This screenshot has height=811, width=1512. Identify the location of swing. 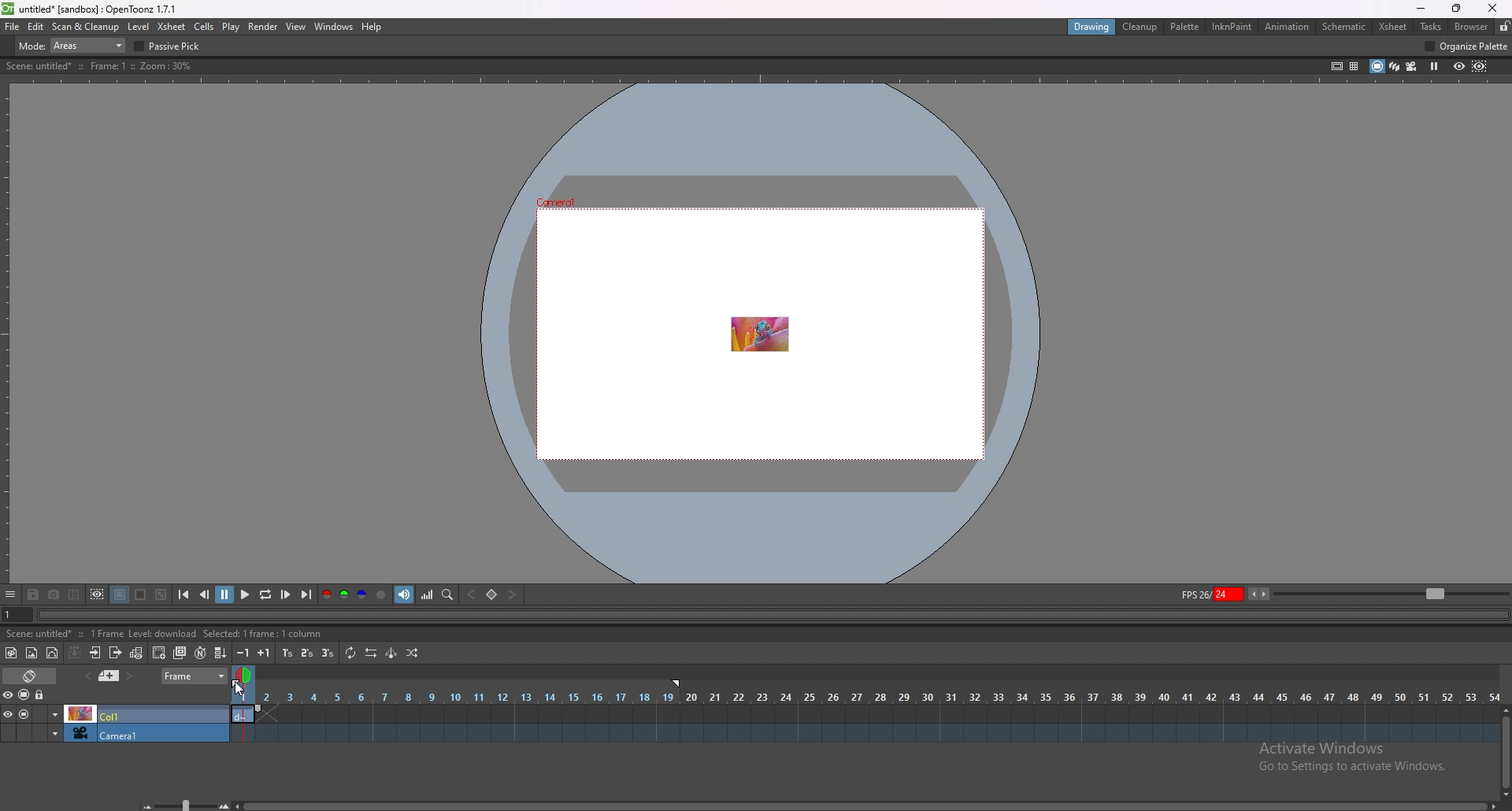
(392, 652).